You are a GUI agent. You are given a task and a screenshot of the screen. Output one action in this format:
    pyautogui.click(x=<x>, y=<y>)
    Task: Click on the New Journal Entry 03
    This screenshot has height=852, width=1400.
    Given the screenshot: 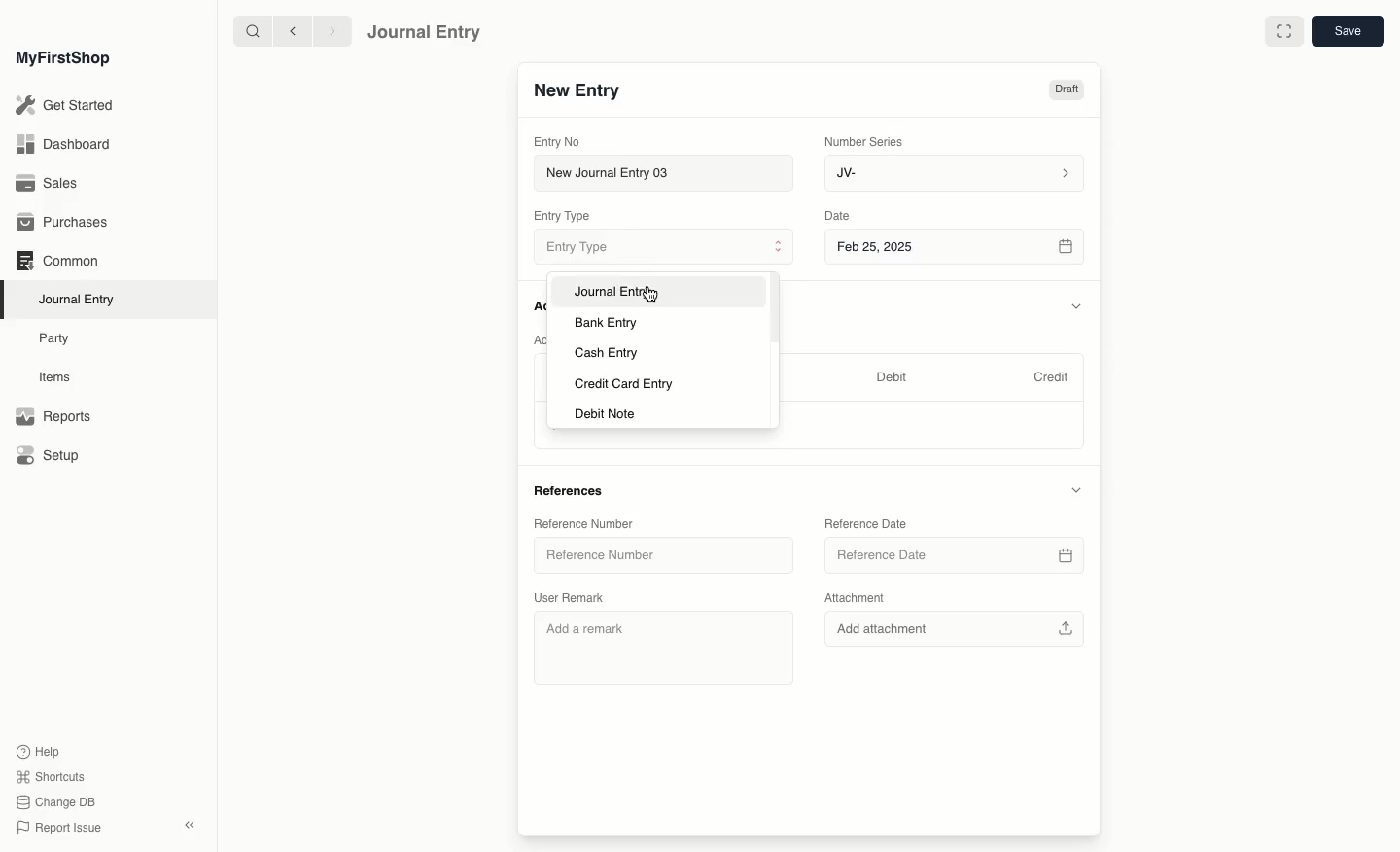 What is the action you would take?
    pyautogui.click(x=669, y=174)
    